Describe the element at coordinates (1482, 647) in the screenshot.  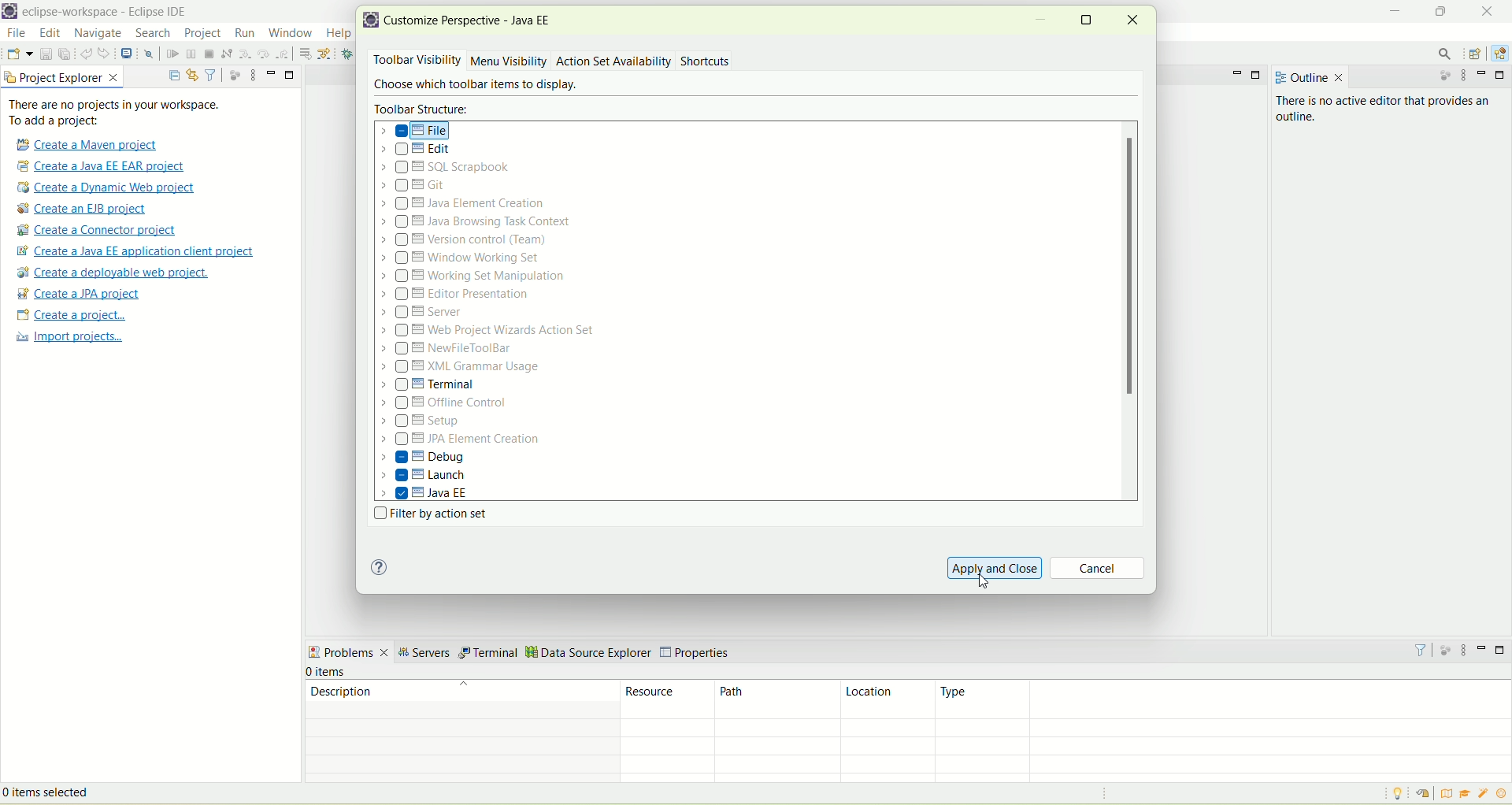
I see `minimize` at that location.